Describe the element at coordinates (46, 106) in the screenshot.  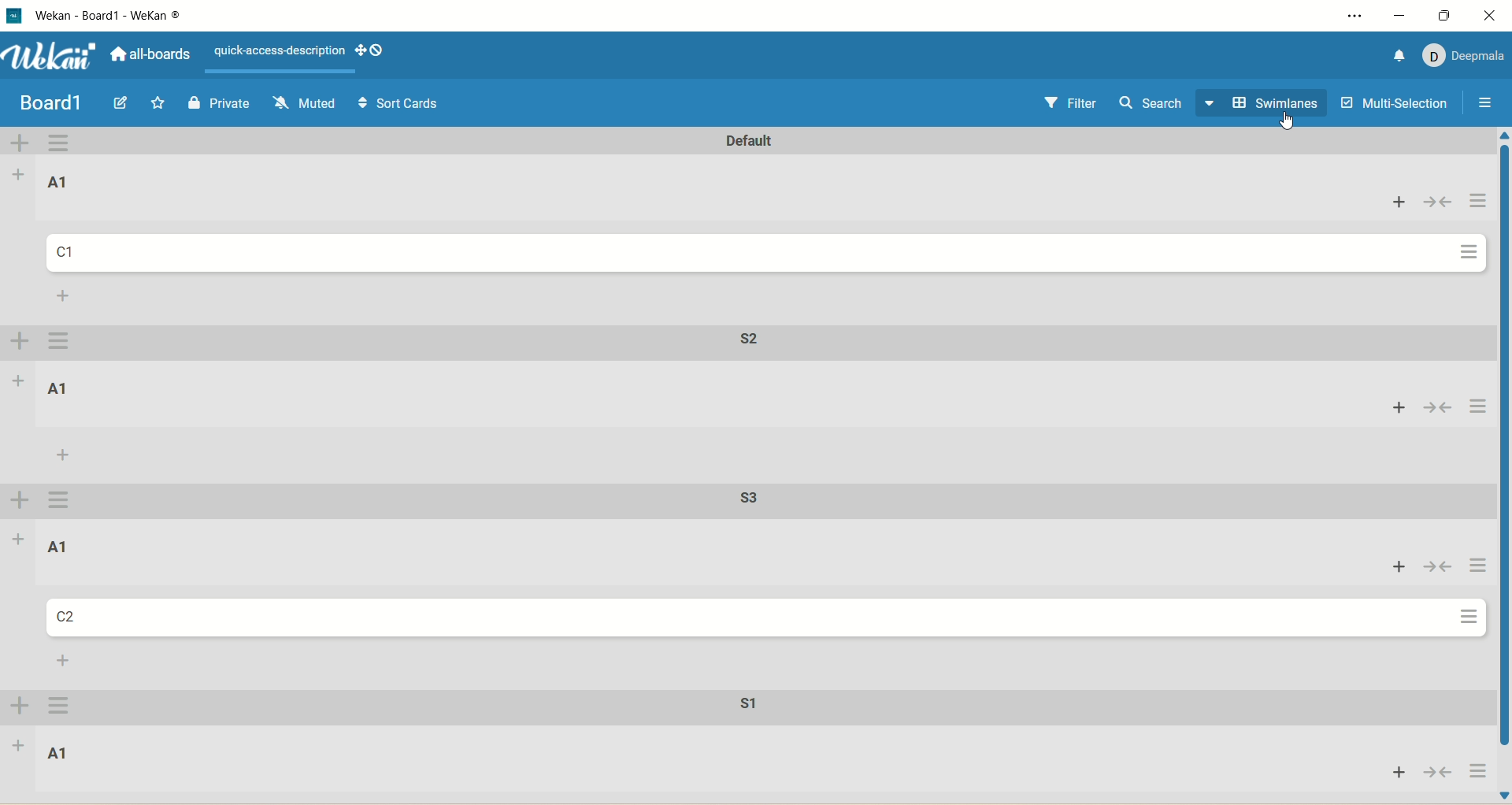
I see `title` at that location.